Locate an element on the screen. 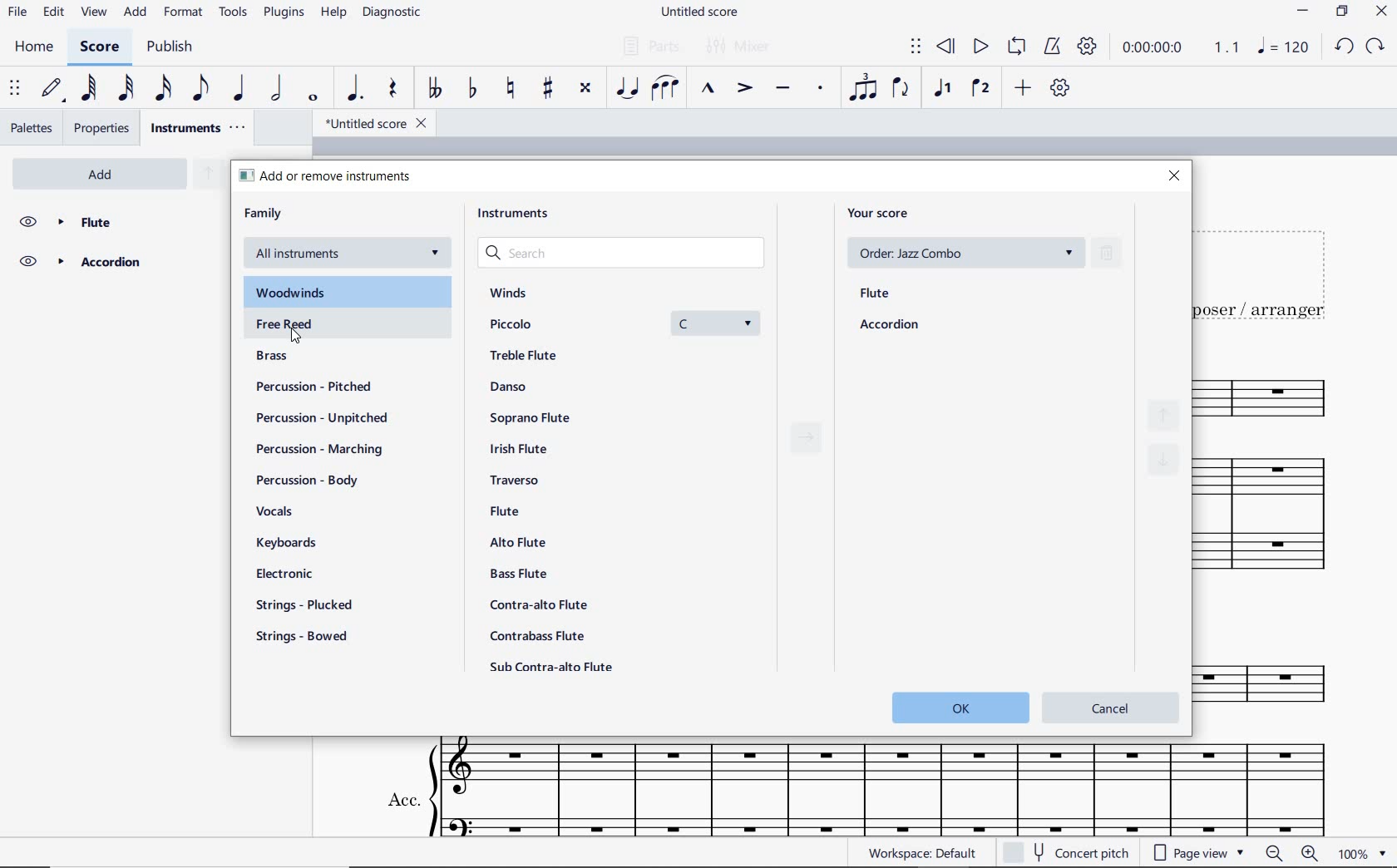  file name is located at coordinates (369, 122).